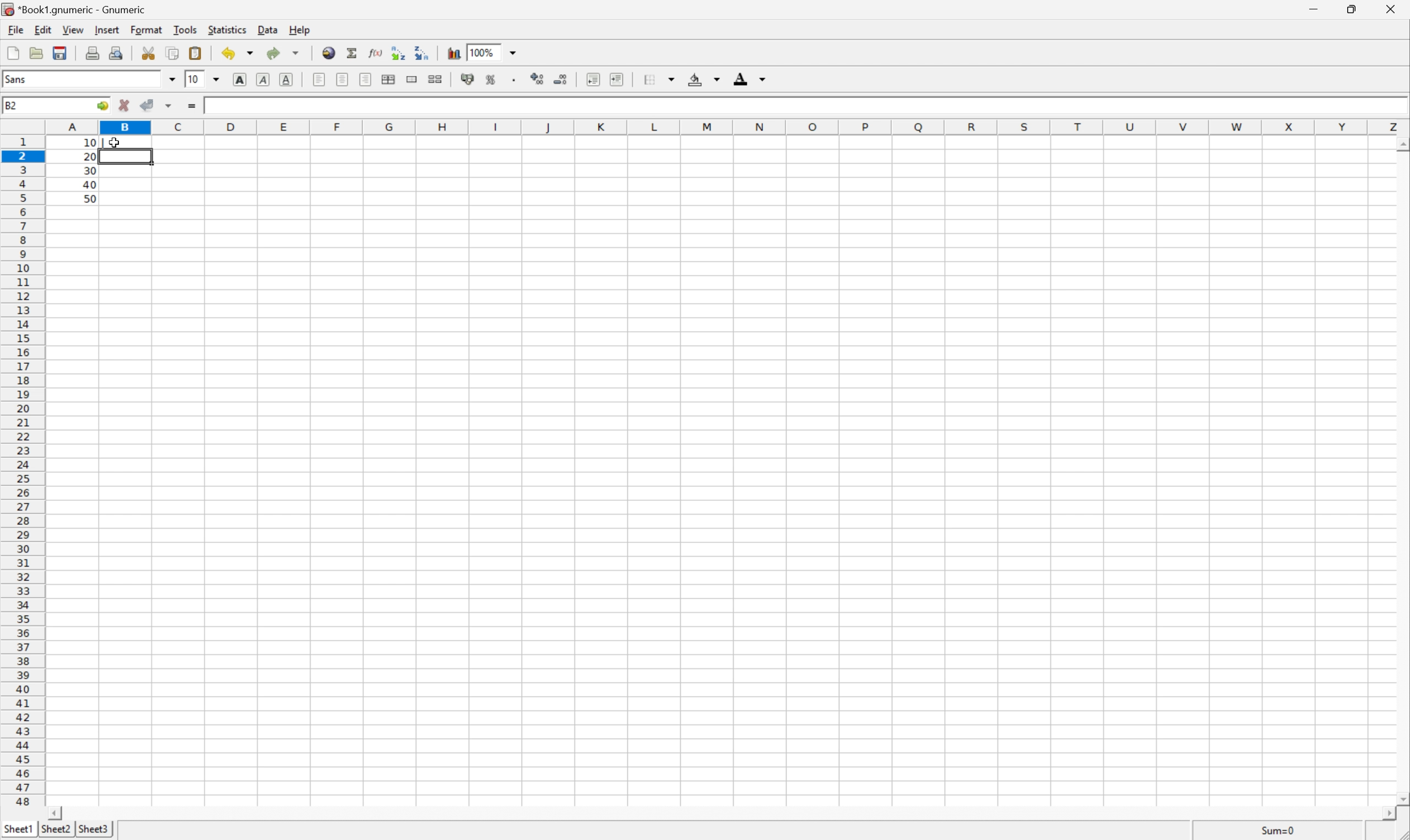 The width and height of the screenshot is (1410, 840). Describe the element at coordinates (115, 142) in the screenshot. I see `Cursor` at that location.